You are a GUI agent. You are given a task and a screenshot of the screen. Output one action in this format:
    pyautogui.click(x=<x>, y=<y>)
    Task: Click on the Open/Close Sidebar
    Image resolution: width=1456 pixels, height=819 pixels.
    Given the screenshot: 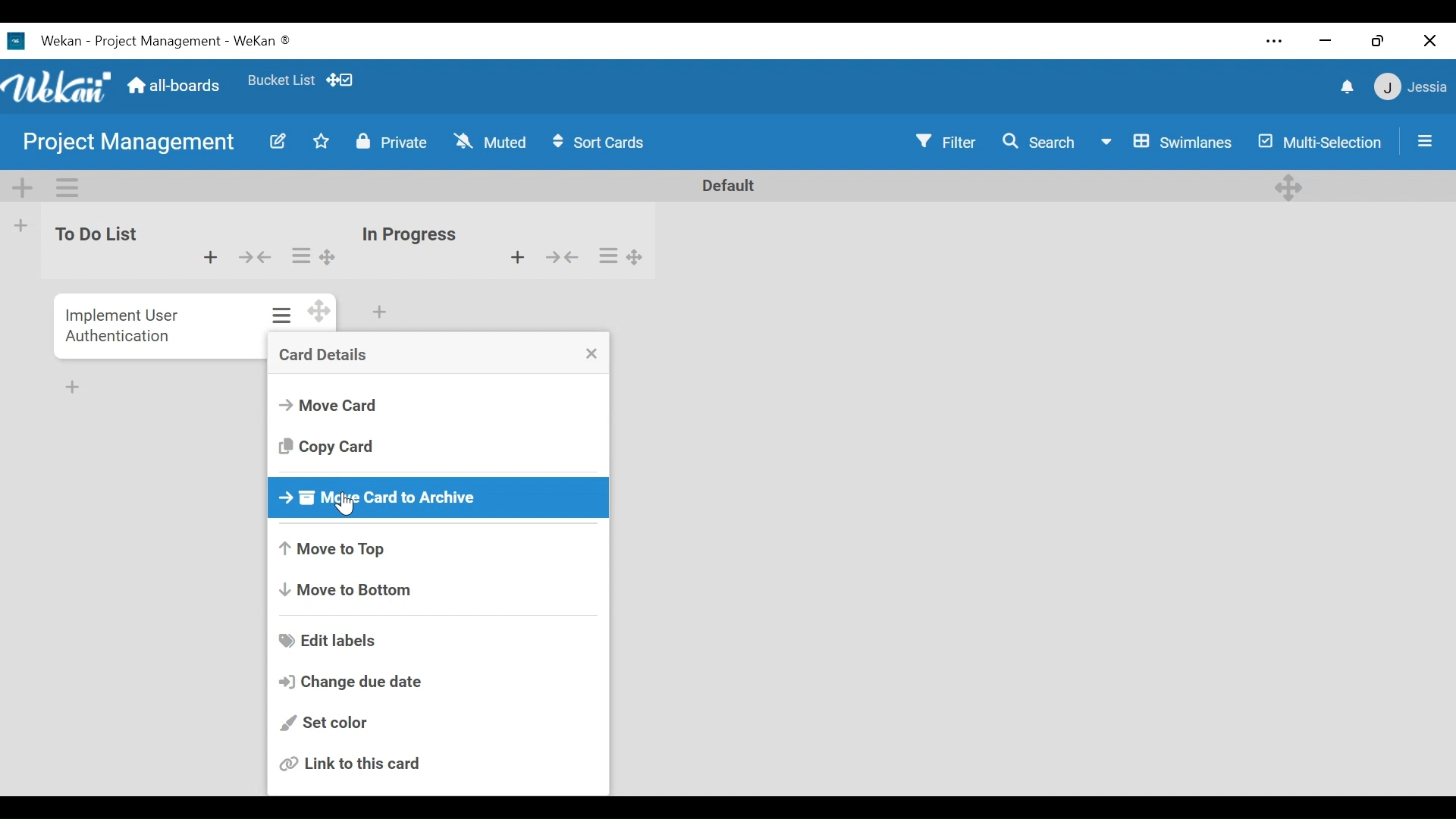 What is the action you would take?
    pyautogui.click(x=1425, y=141)
    